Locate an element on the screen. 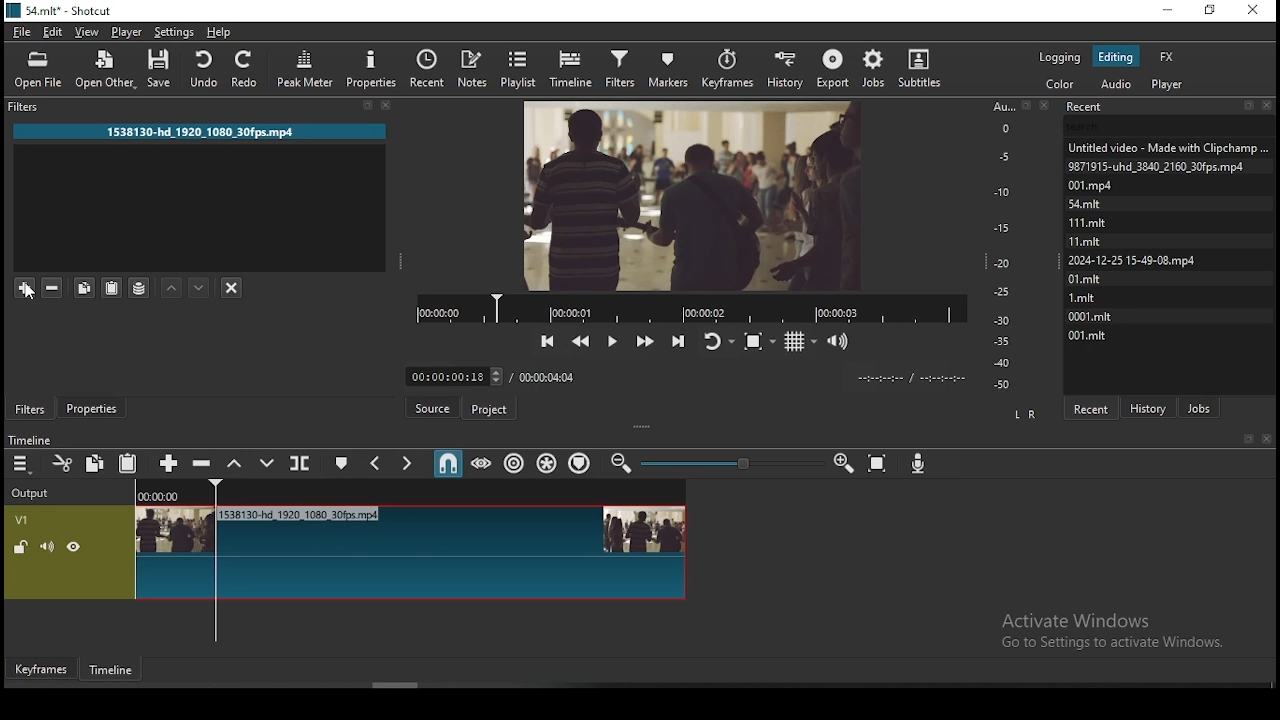 The width and height of the screenshot is (1280, 720). timeline is located at coordinates (28, 439).